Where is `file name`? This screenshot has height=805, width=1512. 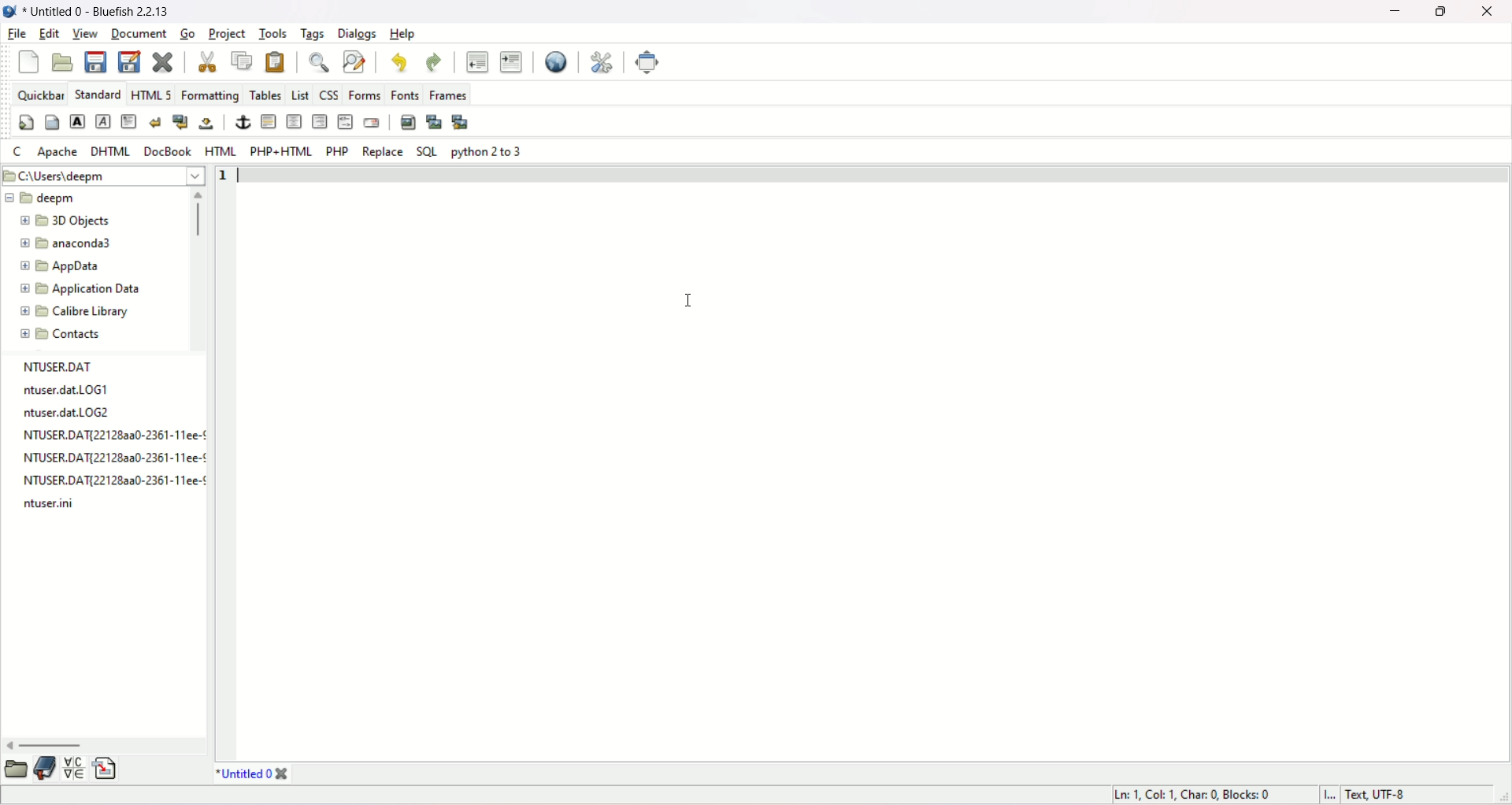 file name is located at coordinates (69, 414).